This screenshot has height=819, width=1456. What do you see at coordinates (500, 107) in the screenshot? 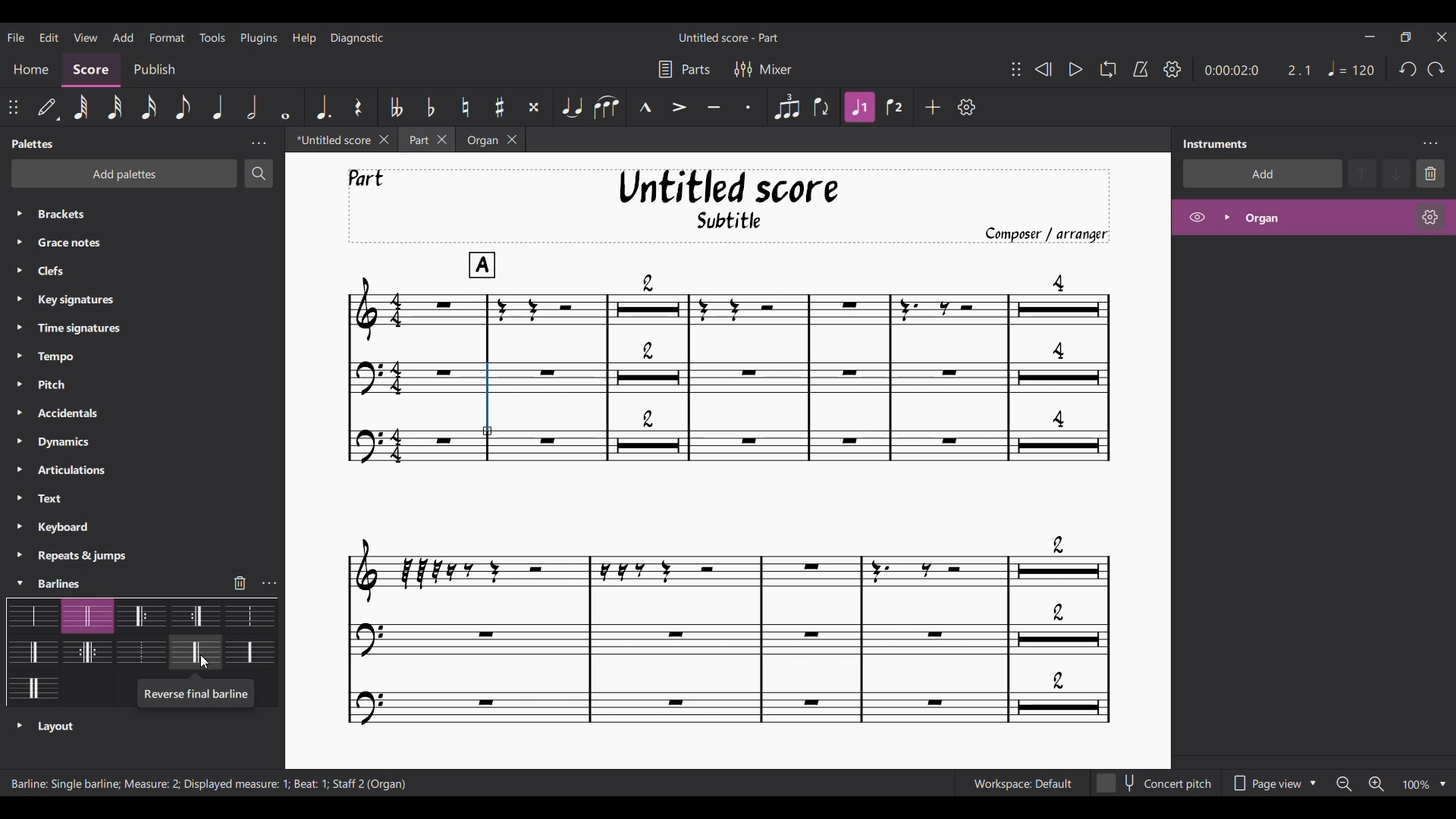
I see `Toggle sharp` at bounding box center [500, 107].